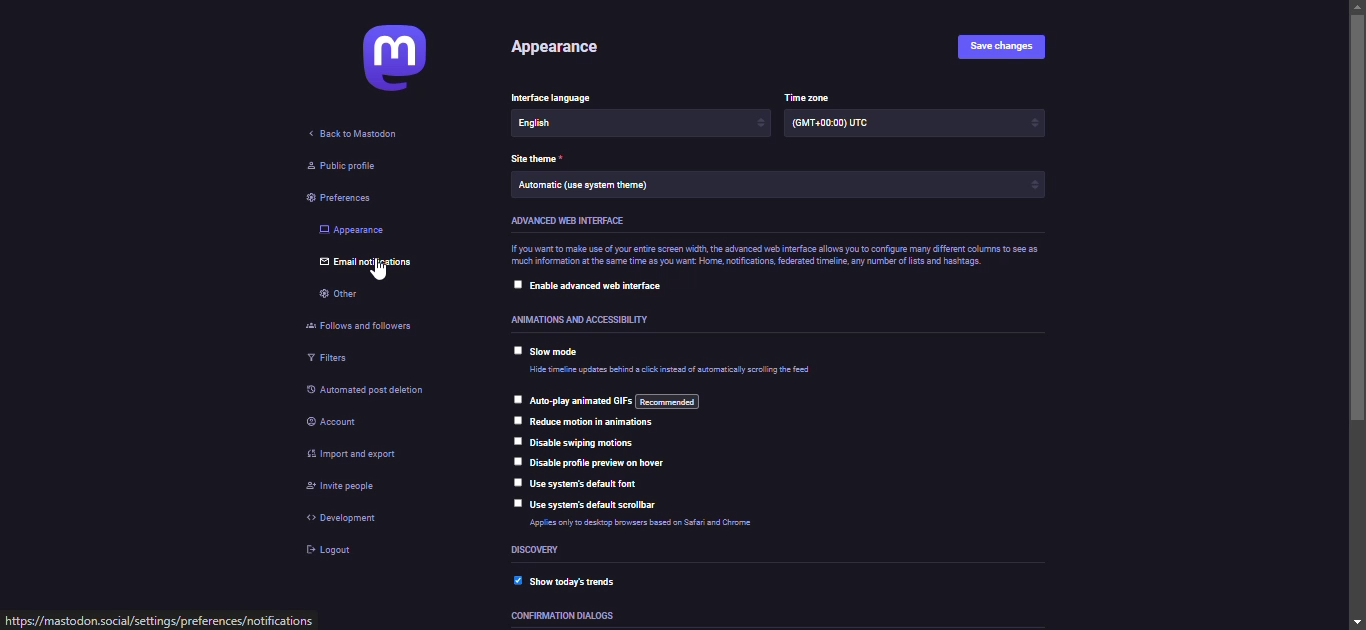 The height and width of the screenshot is (630, 1366). What do you see at coordinates (515, 420) in the screenshot?
I see `click to select` at bounding box center [515, 420].